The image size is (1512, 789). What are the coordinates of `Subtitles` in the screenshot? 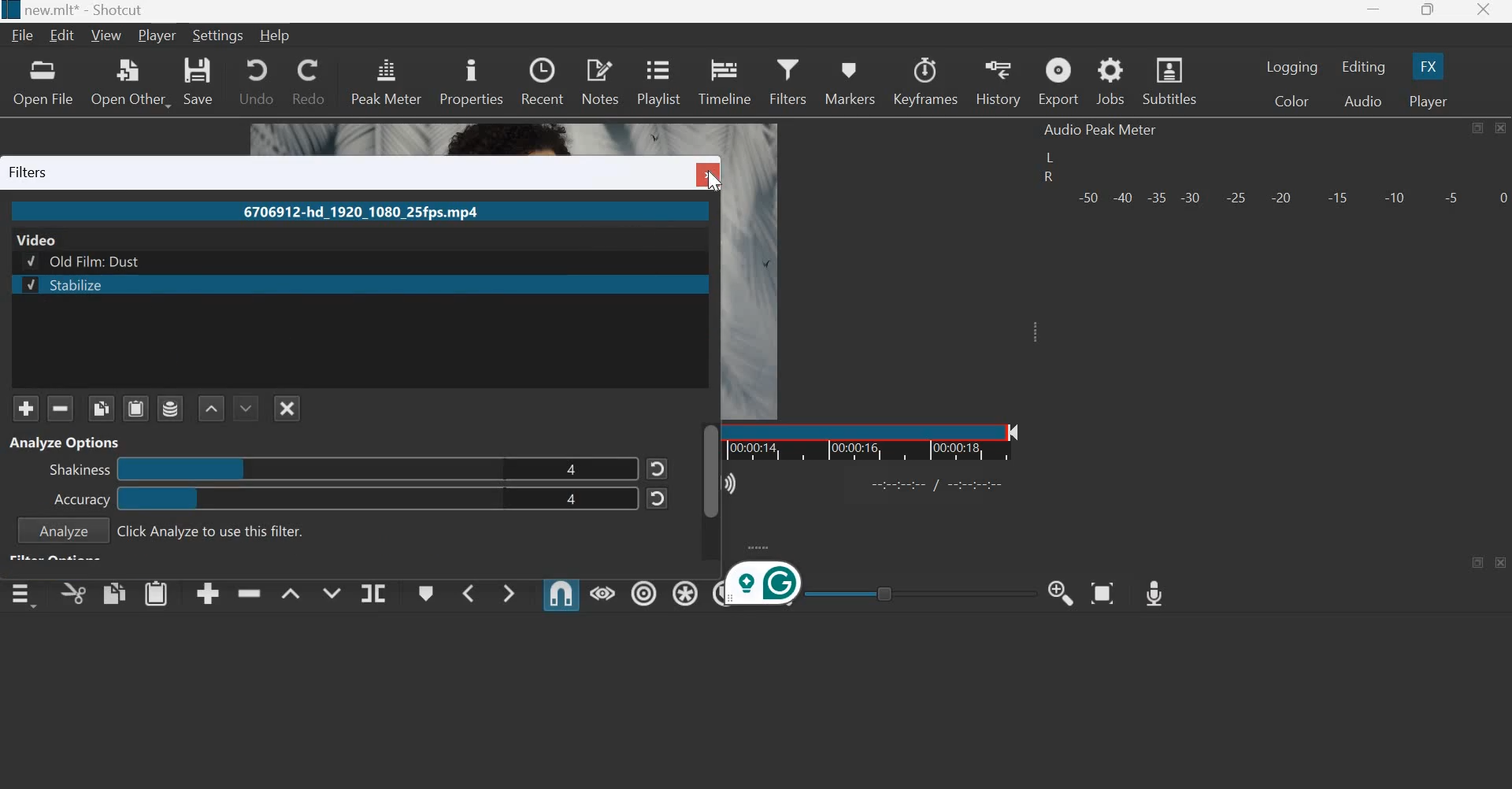 It's located at (1169, 80).